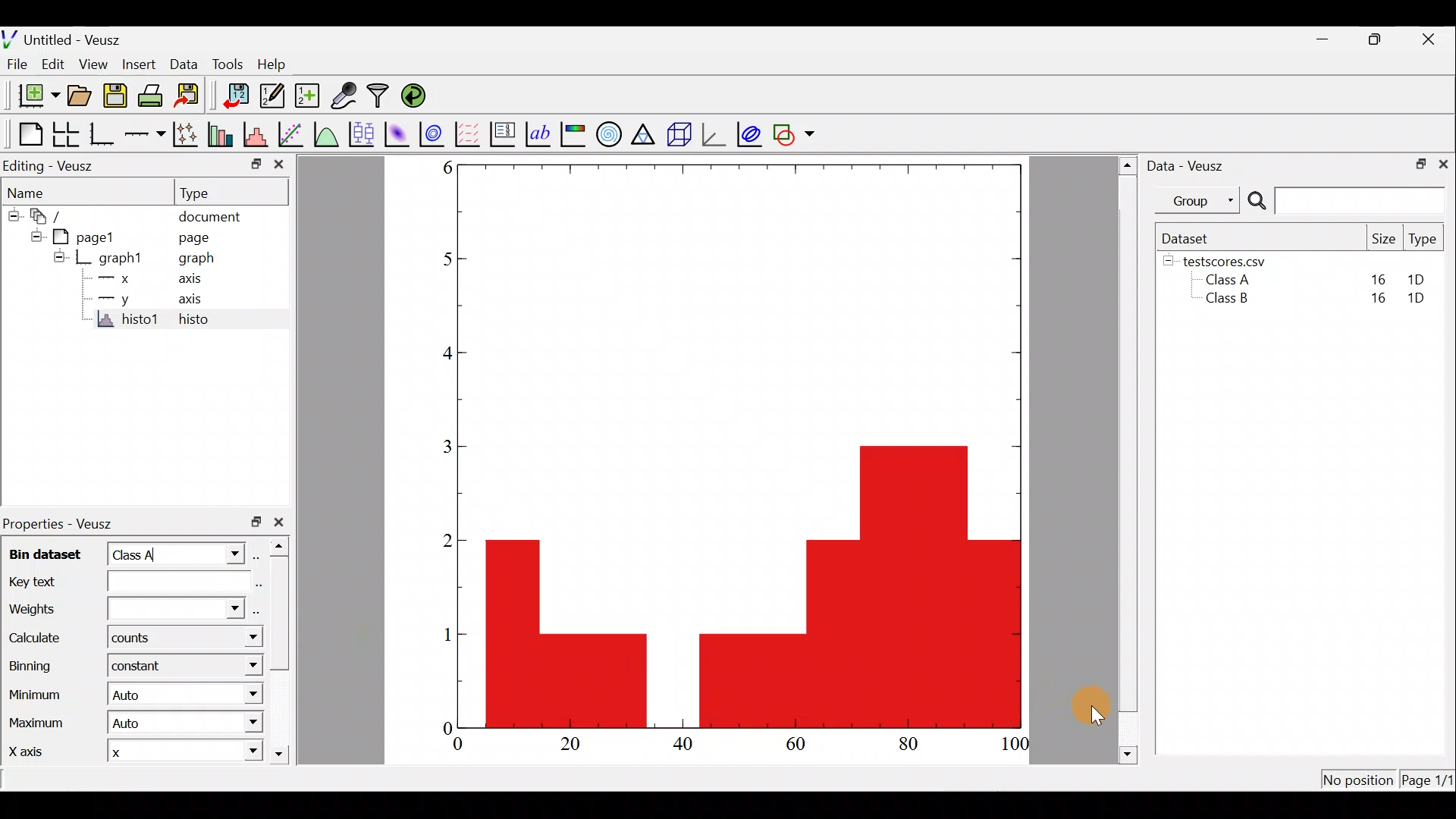  I want to click on Close, so click(1432, 38).